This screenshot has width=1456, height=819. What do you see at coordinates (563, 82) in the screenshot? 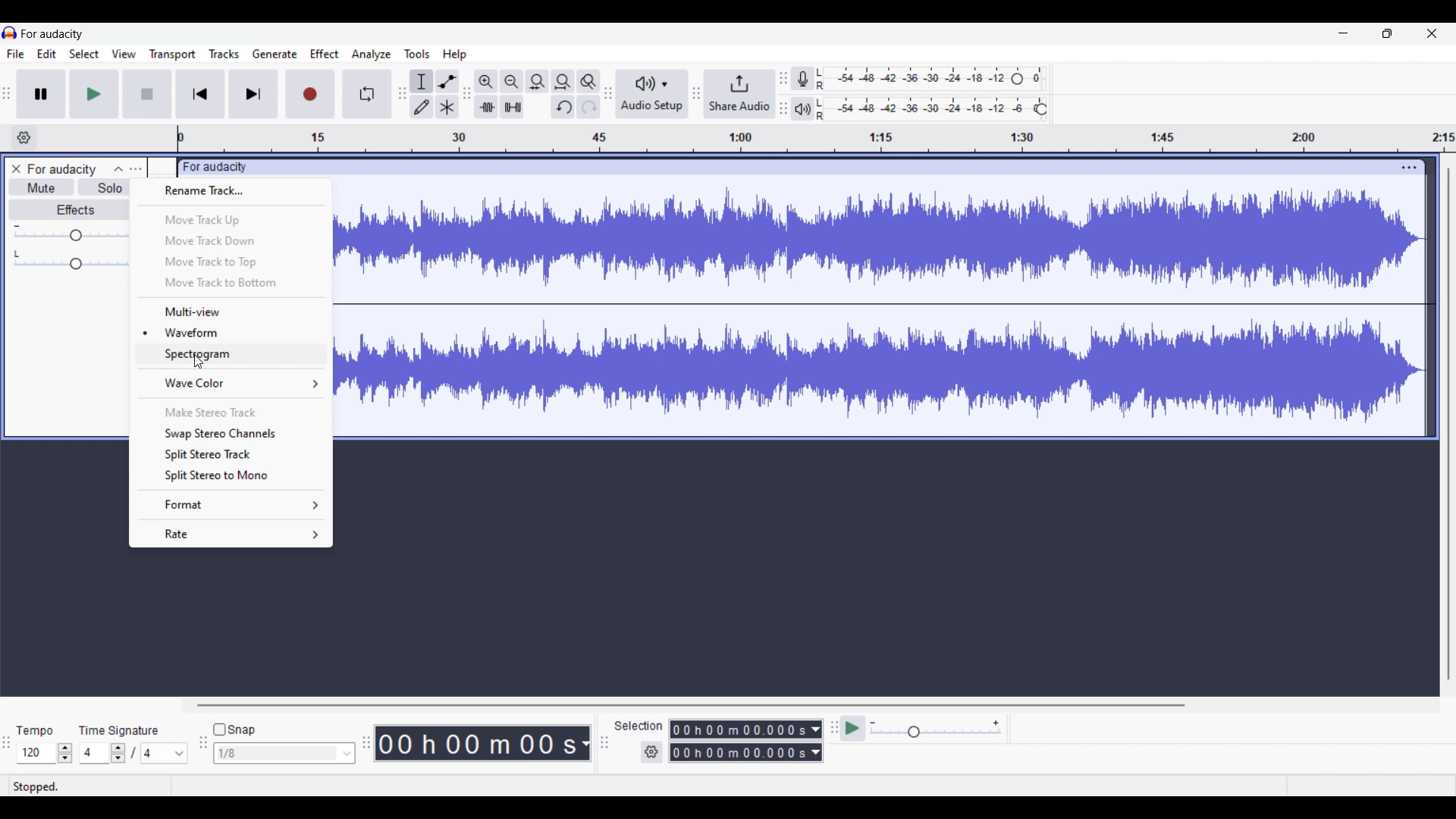
I see `Fit projection to width` at bounding box center [563, 82].